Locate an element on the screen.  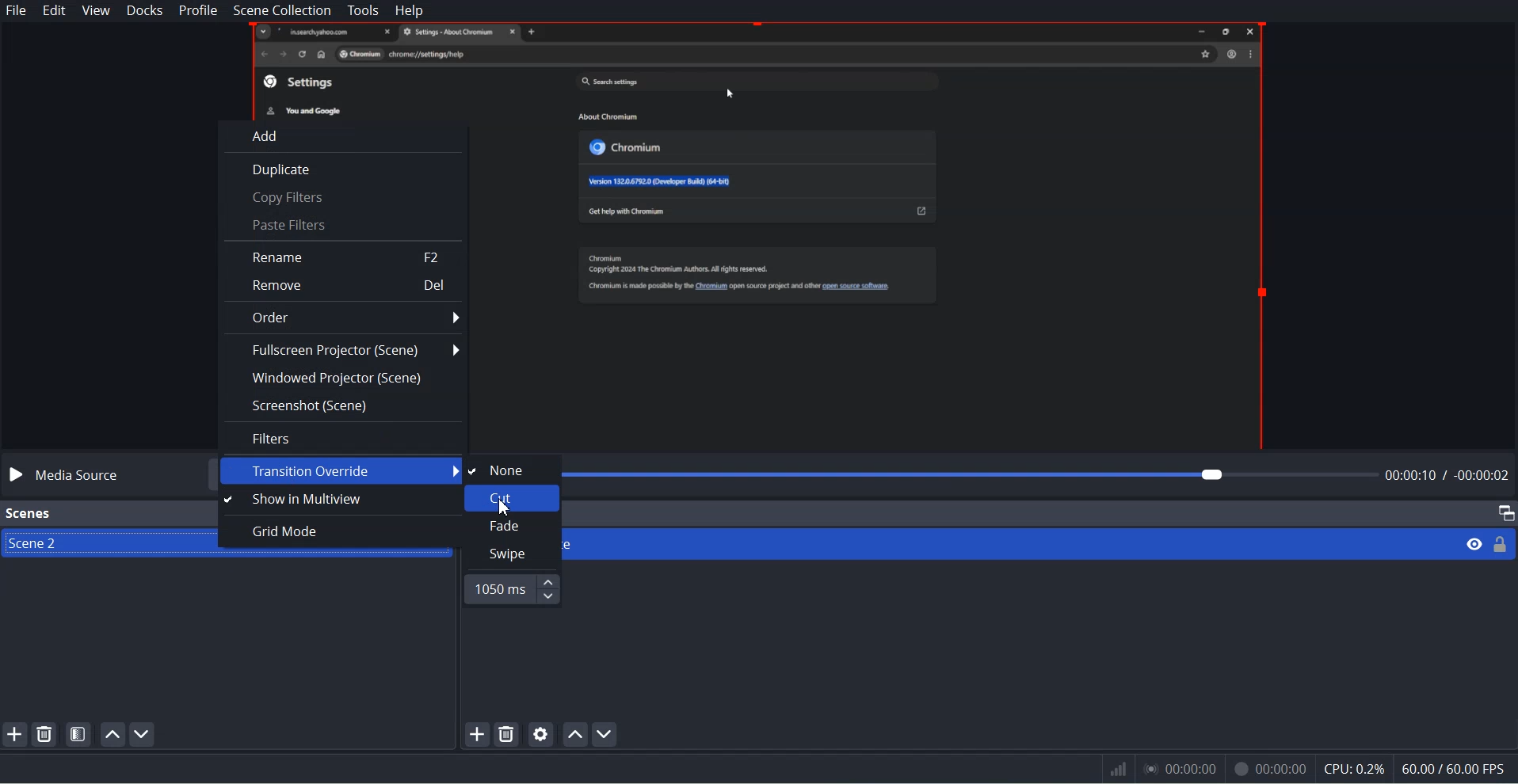
Scenes is located at coordinates (29, 514).